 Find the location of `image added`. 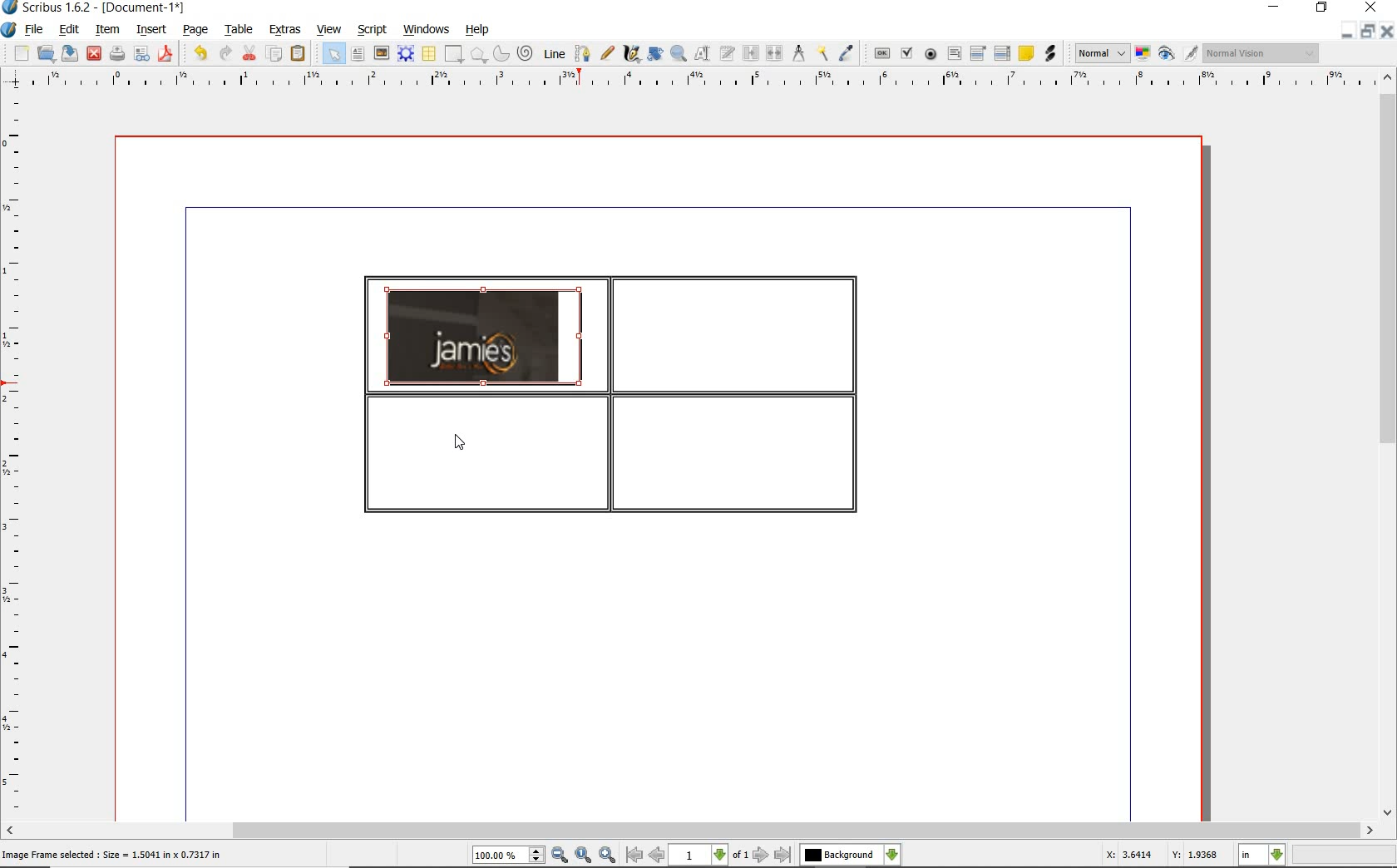

image added is located at coordinates (485, 337).